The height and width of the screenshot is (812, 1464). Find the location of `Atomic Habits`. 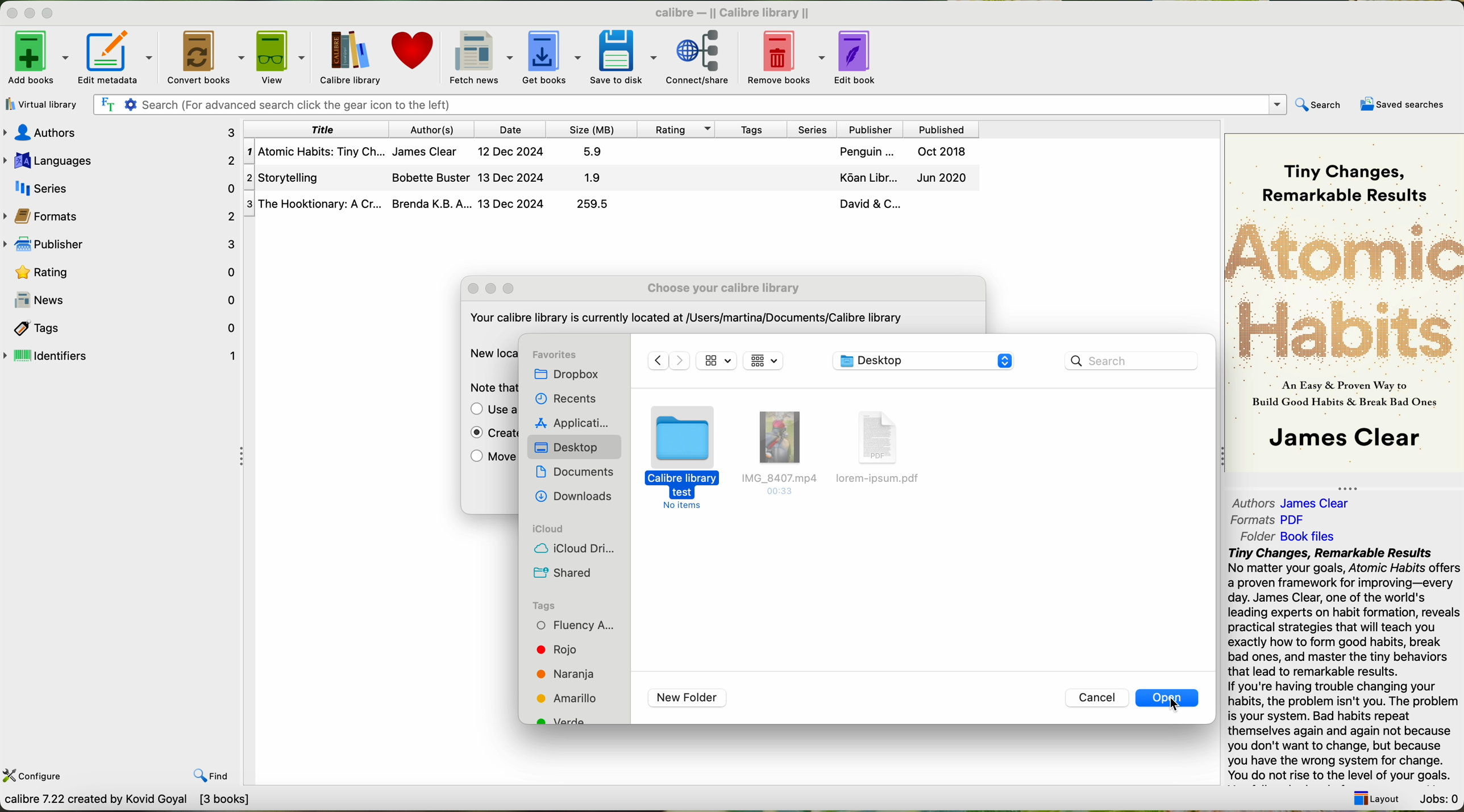

Atomic Habits is located at coordinates (1345, 289).